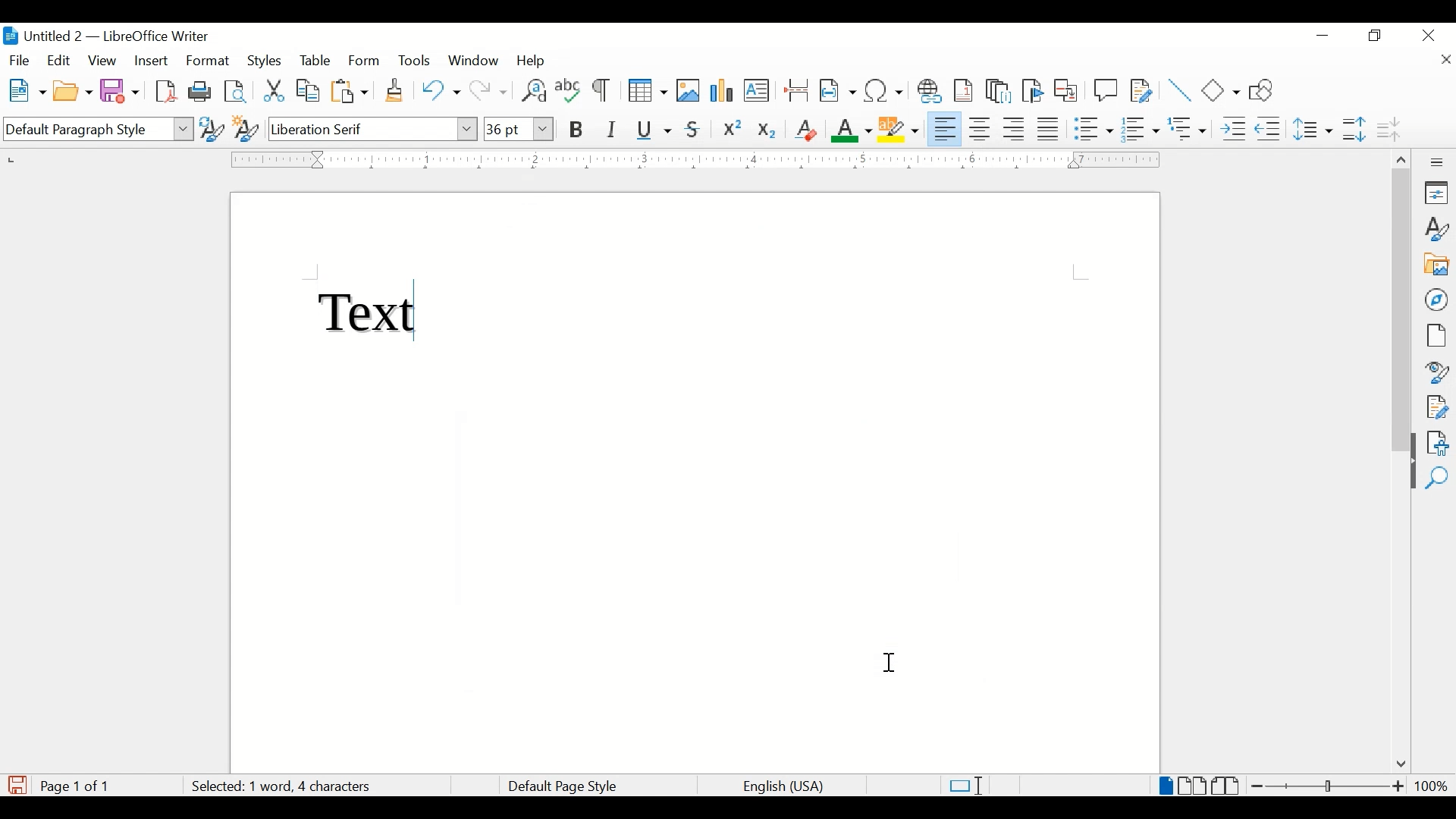  I want to click on font name, so click(374, 128).